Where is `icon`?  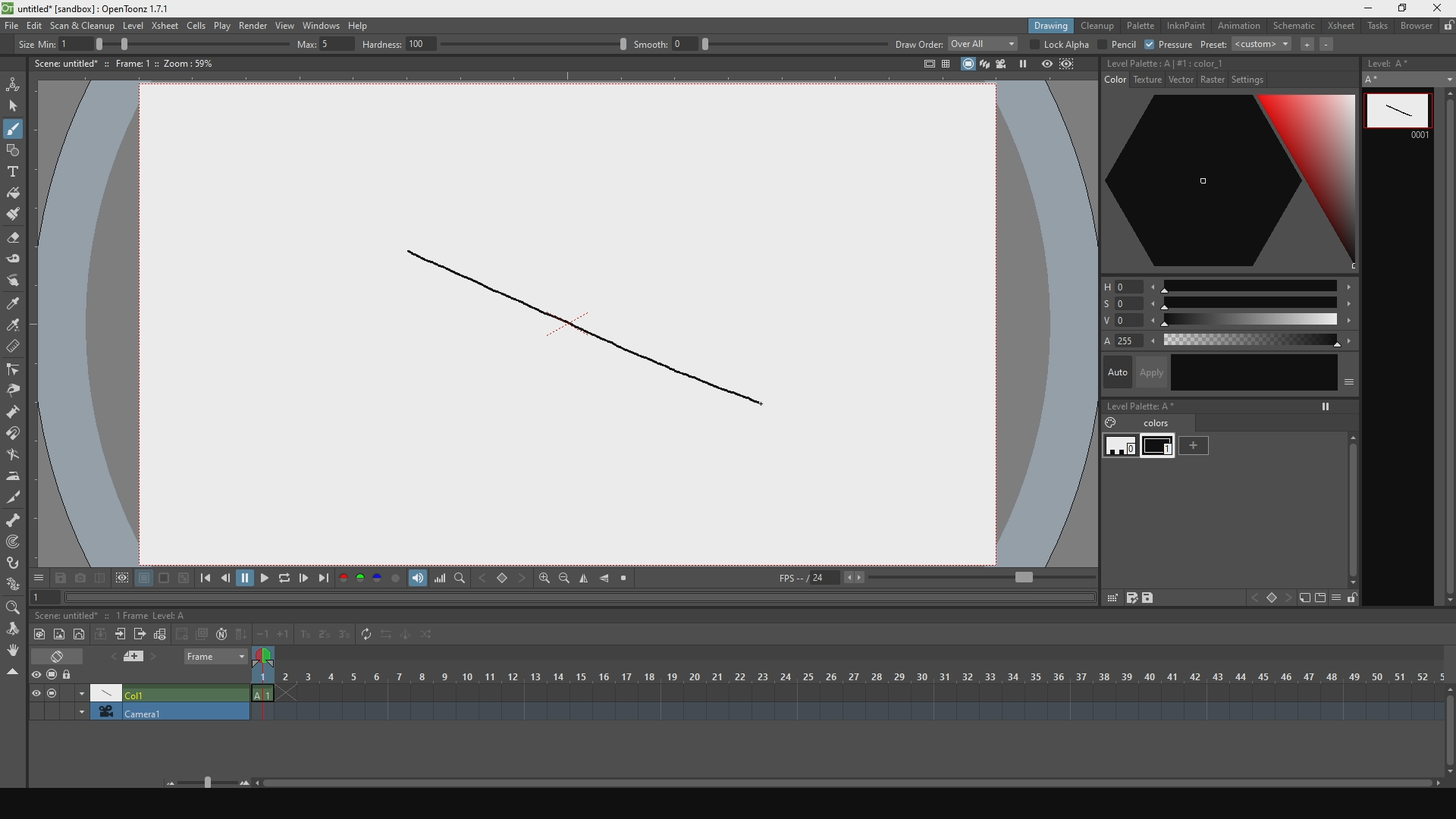
icon is located at coordinates (924, 65).